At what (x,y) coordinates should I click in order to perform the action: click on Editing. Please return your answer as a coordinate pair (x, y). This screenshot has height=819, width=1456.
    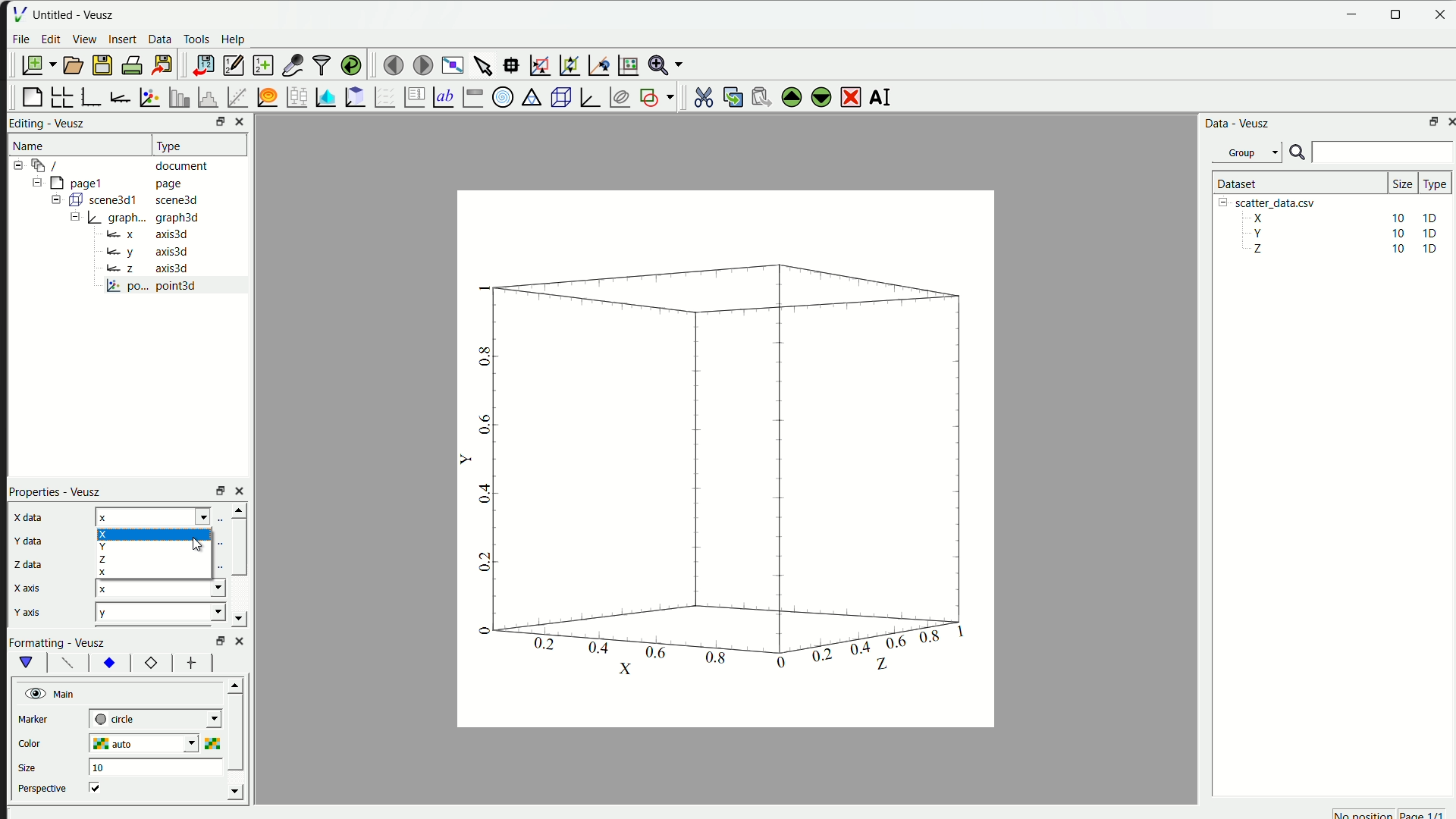
    Looking at the image, I should click on (27, 122).